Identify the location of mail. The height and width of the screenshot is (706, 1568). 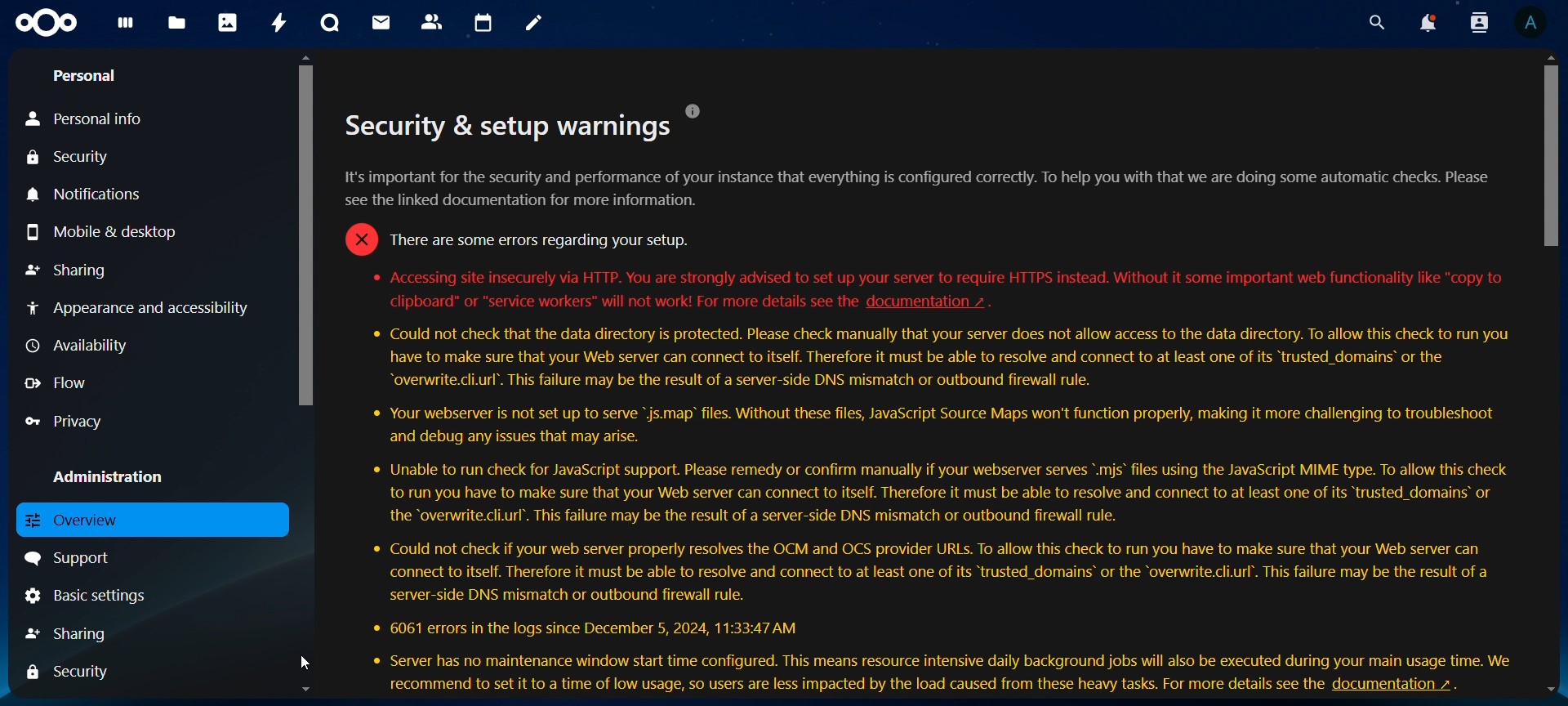
(382, 25).